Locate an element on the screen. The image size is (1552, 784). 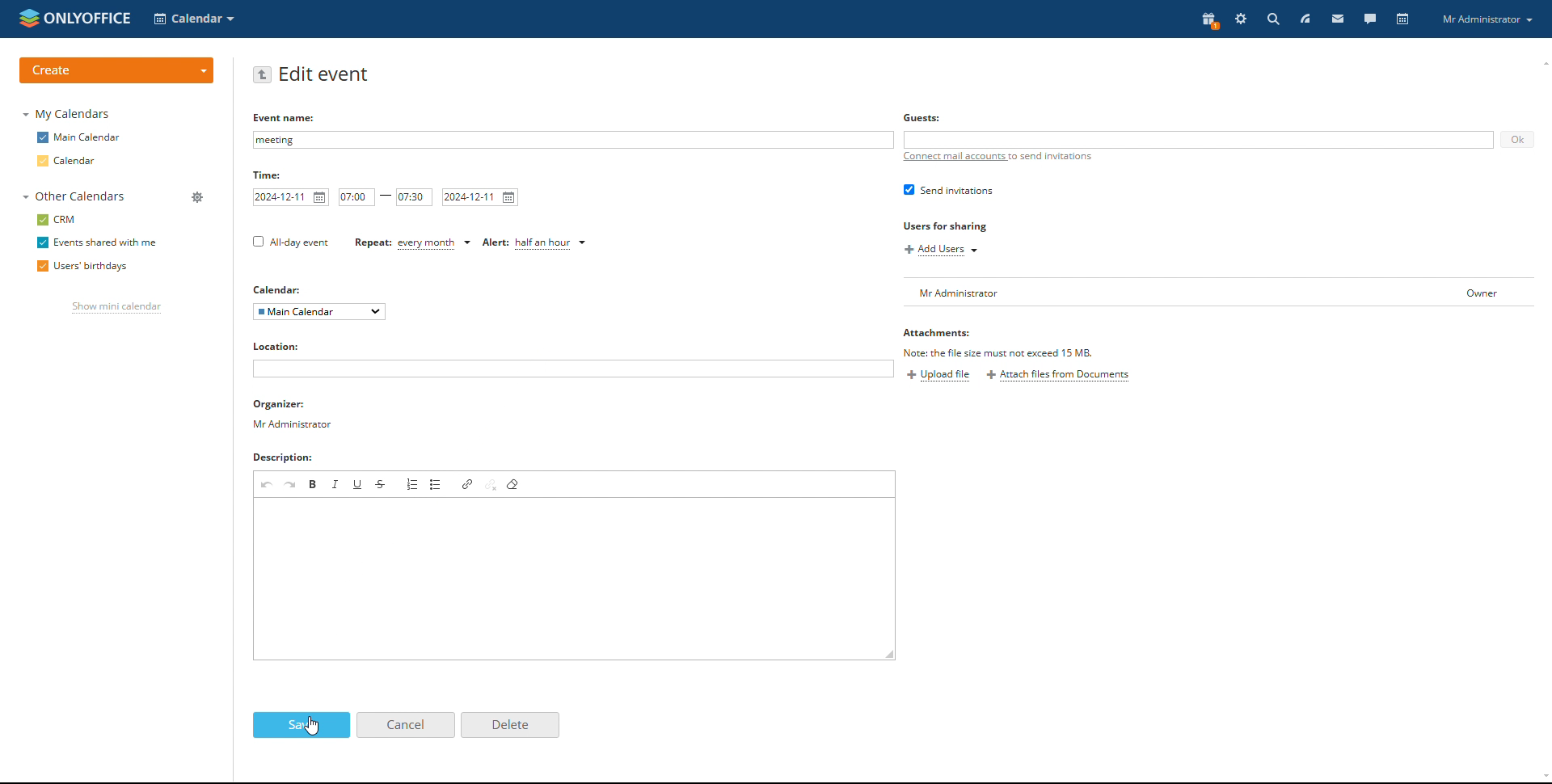
Attachments:
Note: the file size must not exceed 15 MB. is located at coordinates (997, 343).